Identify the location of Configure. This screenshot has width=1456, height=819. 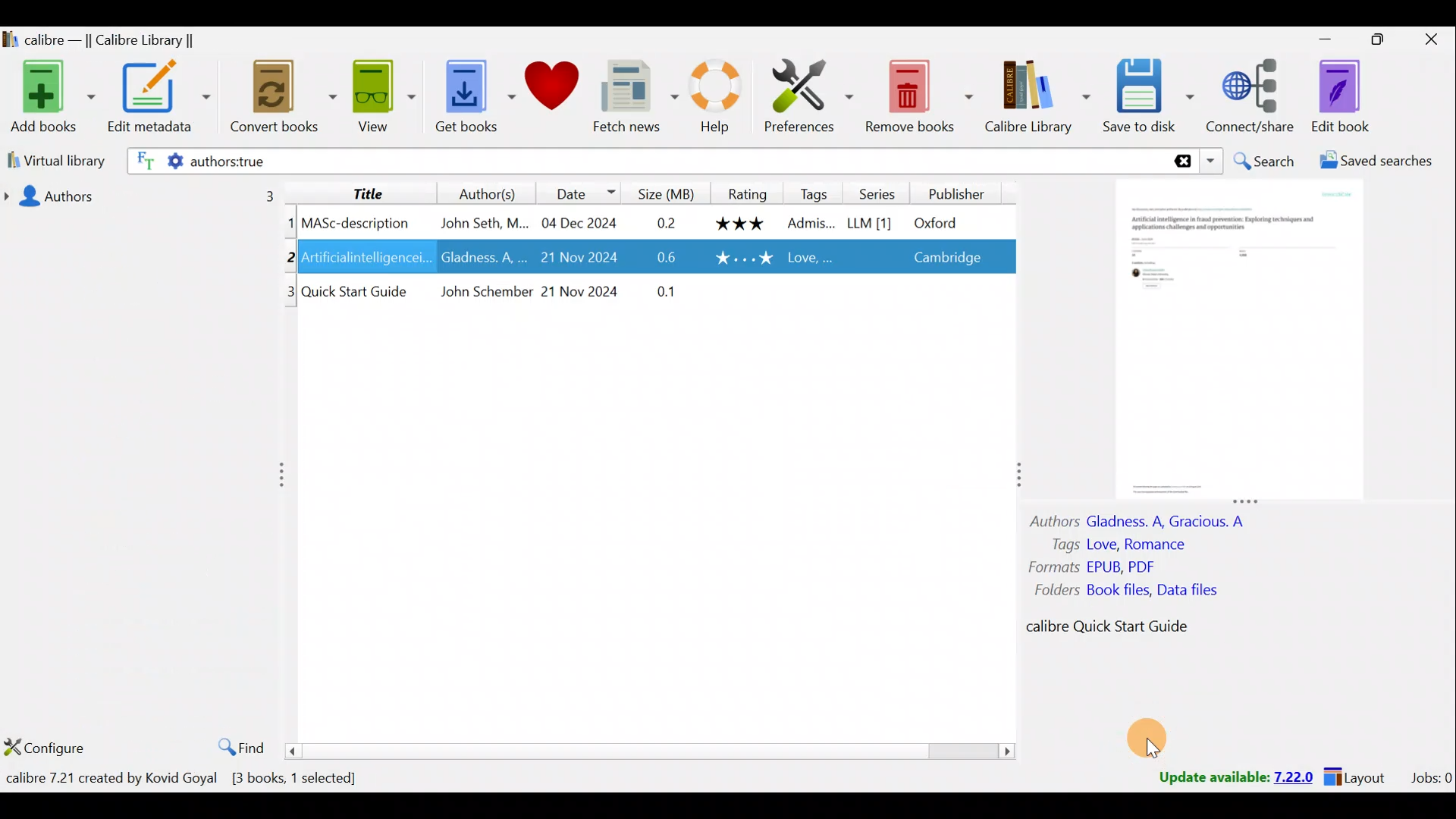
(45, 742).